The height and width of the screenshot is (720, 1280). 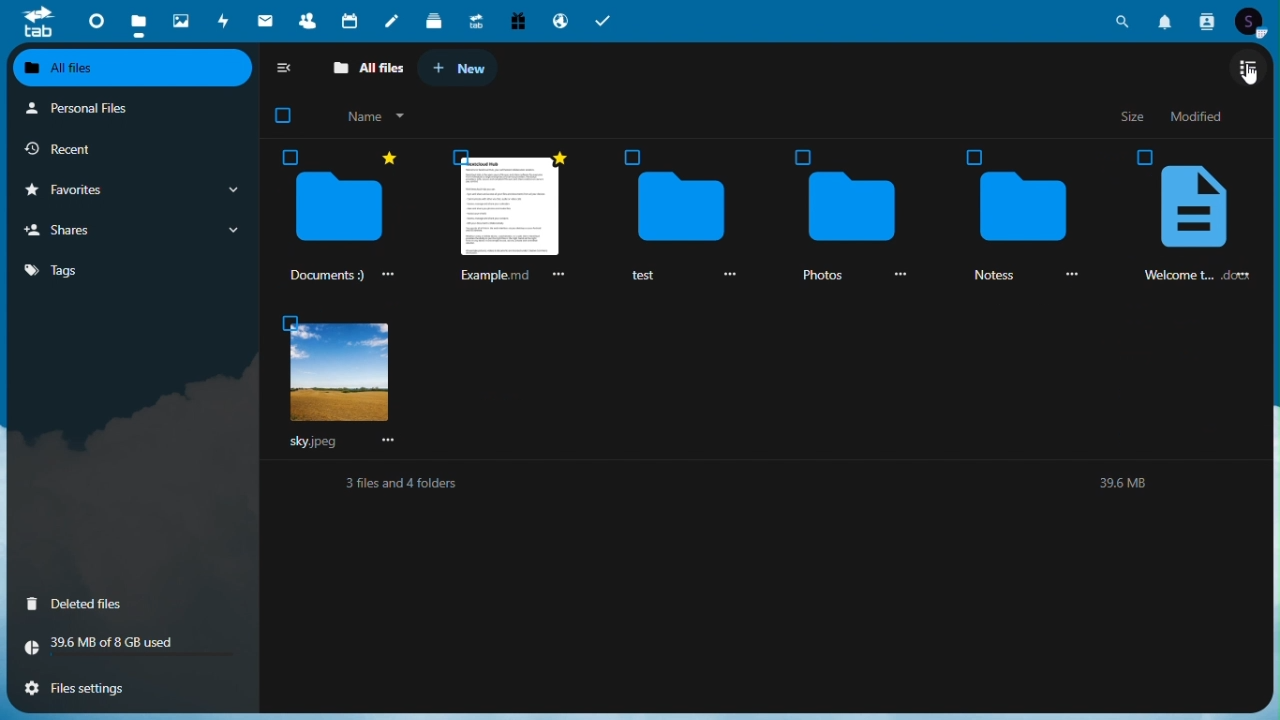 What do you see at coordinates (386, 157) in the screenshot?
I see `favorite` at bounding box center [386, 157].